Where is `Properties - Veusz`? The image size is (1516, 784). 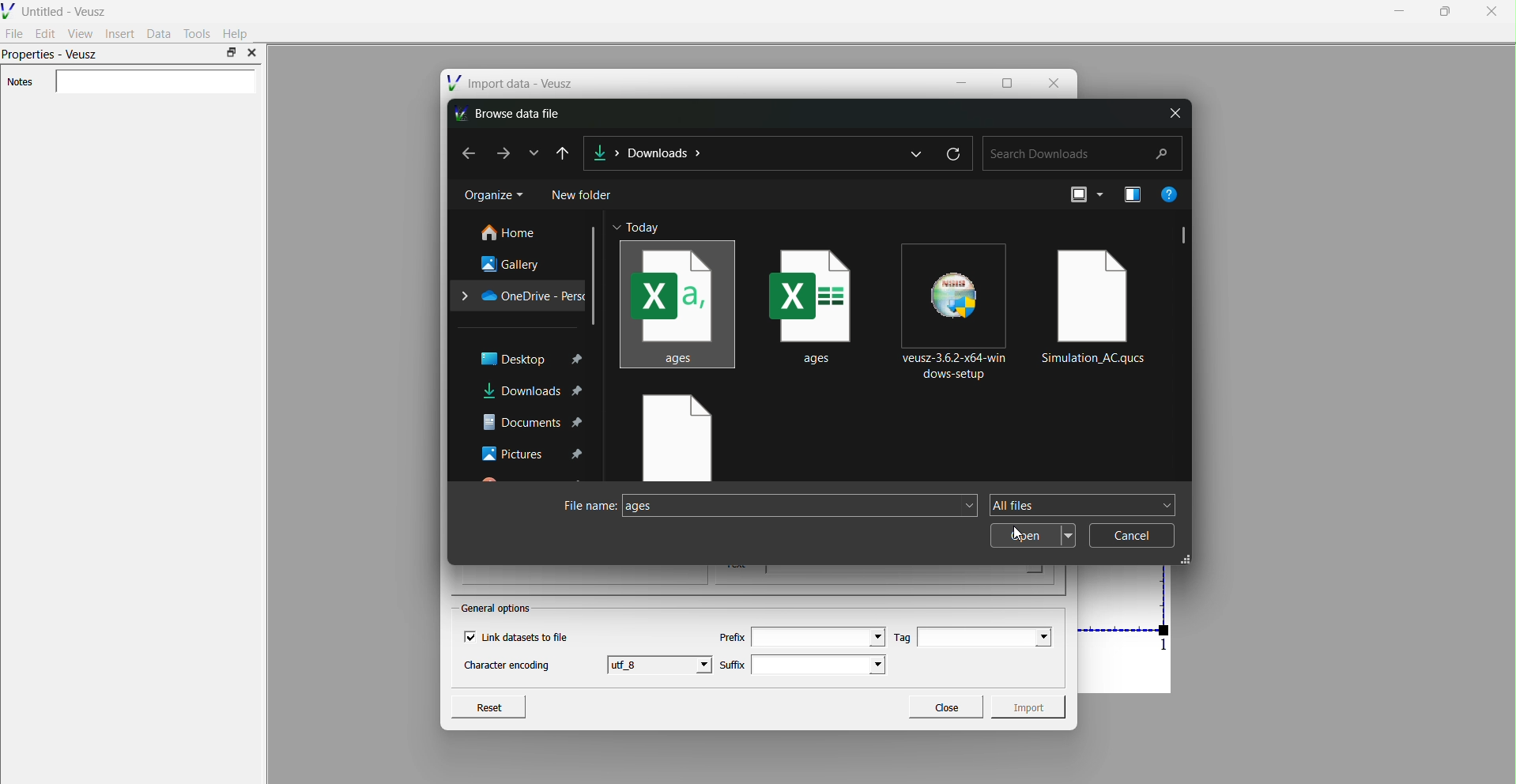
Properties - Veusz is located at coordinates (52, 56).